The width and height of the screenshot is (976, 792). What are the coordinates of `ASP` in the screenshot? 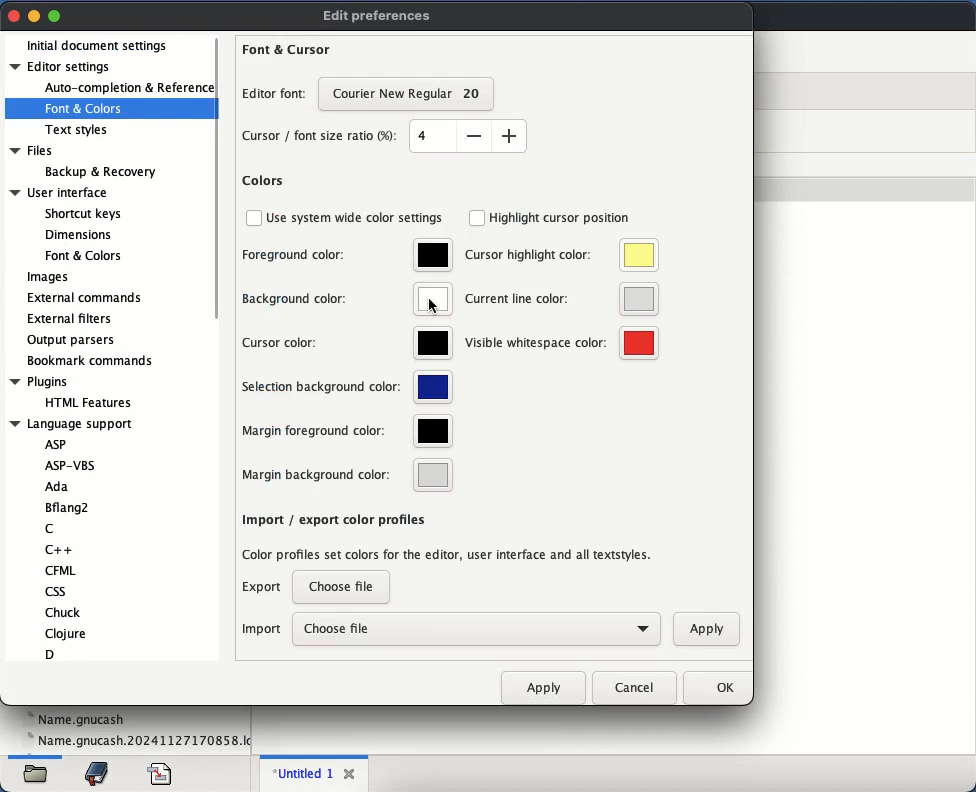 It's located at (57, 442).